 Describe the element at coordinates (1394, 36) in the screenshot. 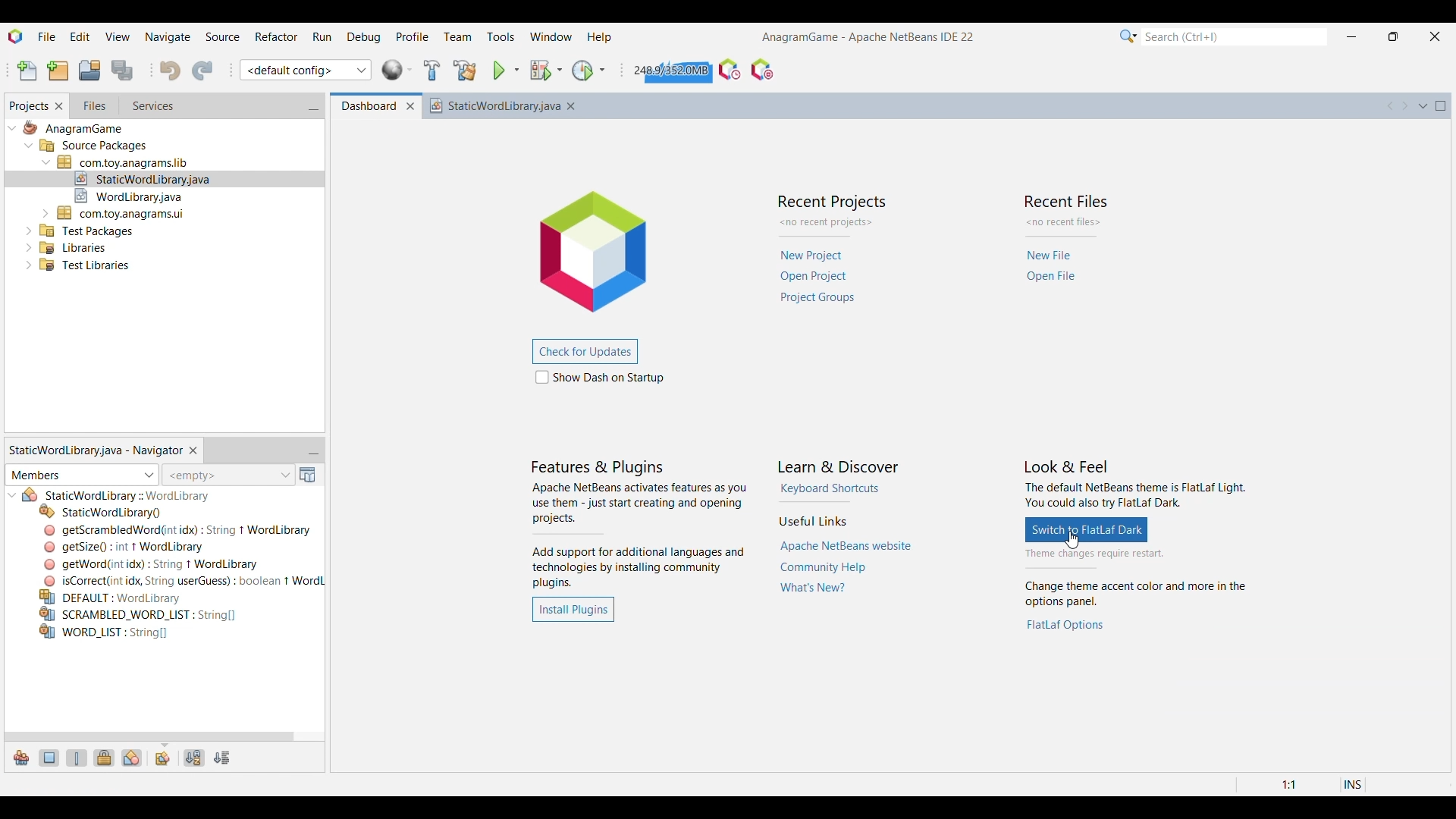

I see `Show interface in a smaller tab` at that location.